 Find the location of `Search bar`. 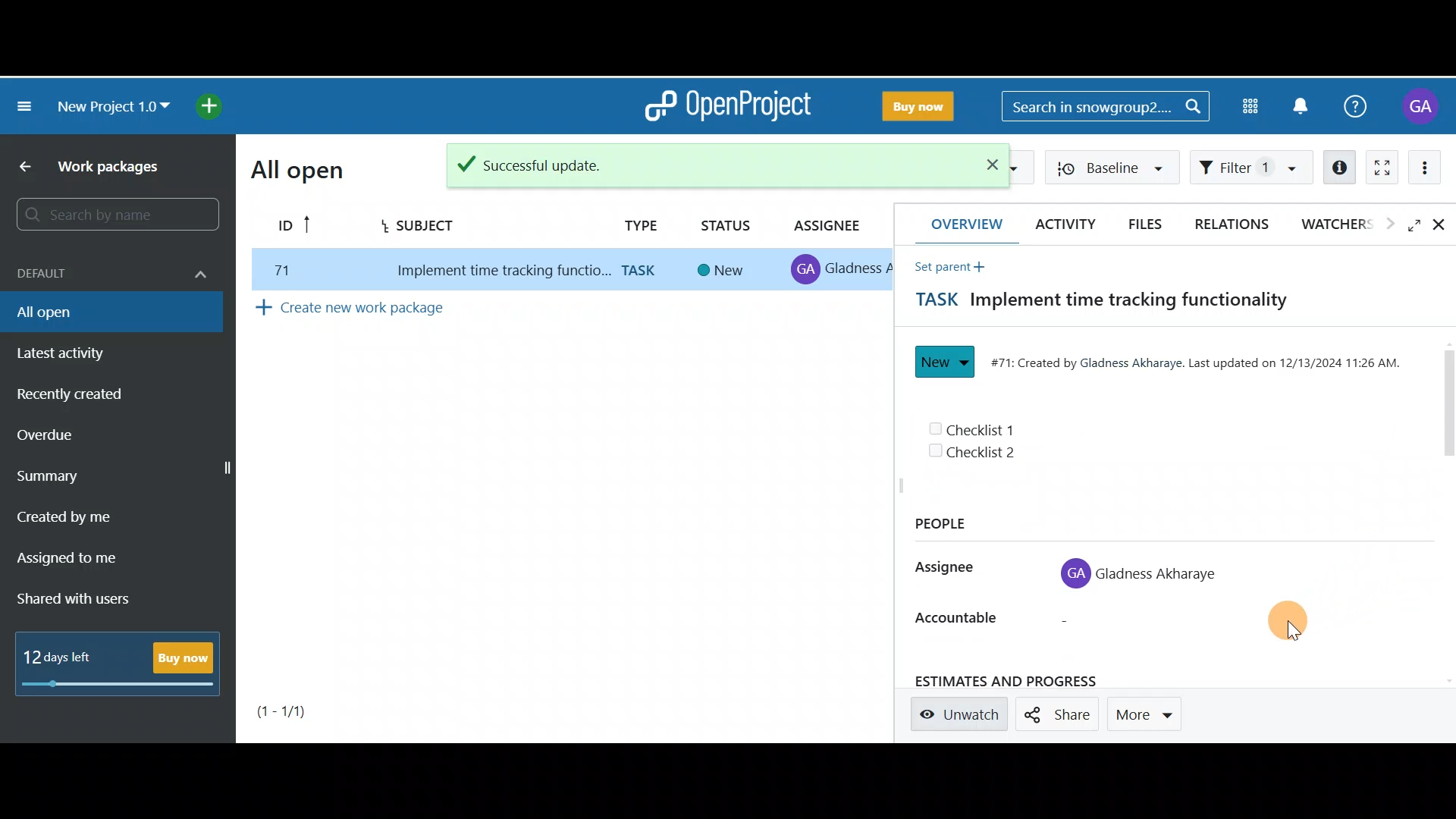

Search bar is located at coordinates (113, 215).